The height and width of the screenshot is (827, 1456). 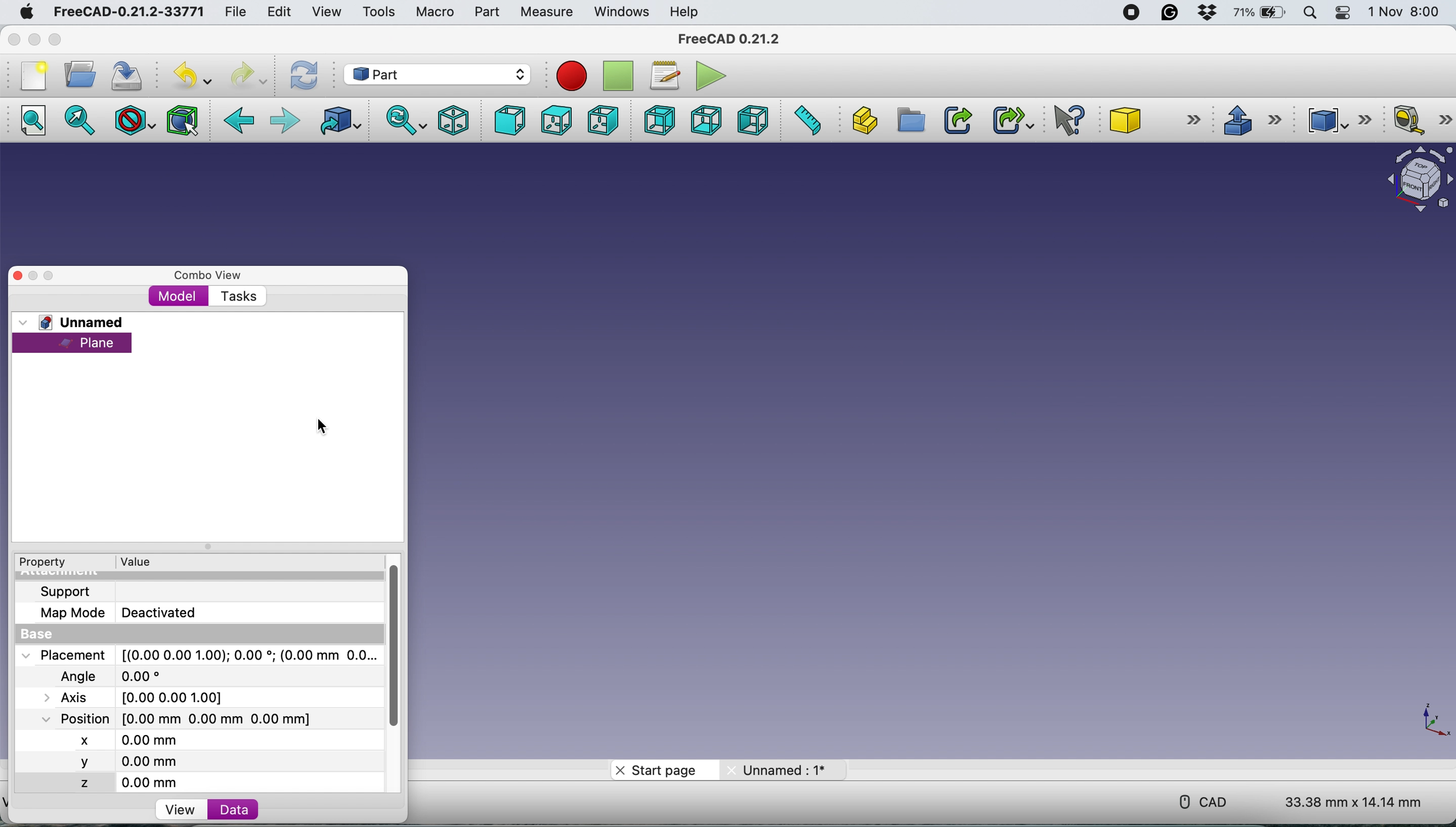 What do you see at coordinates (572, 77) in the screenshot?
I see `recording macros` at bounding box center [572, 77].